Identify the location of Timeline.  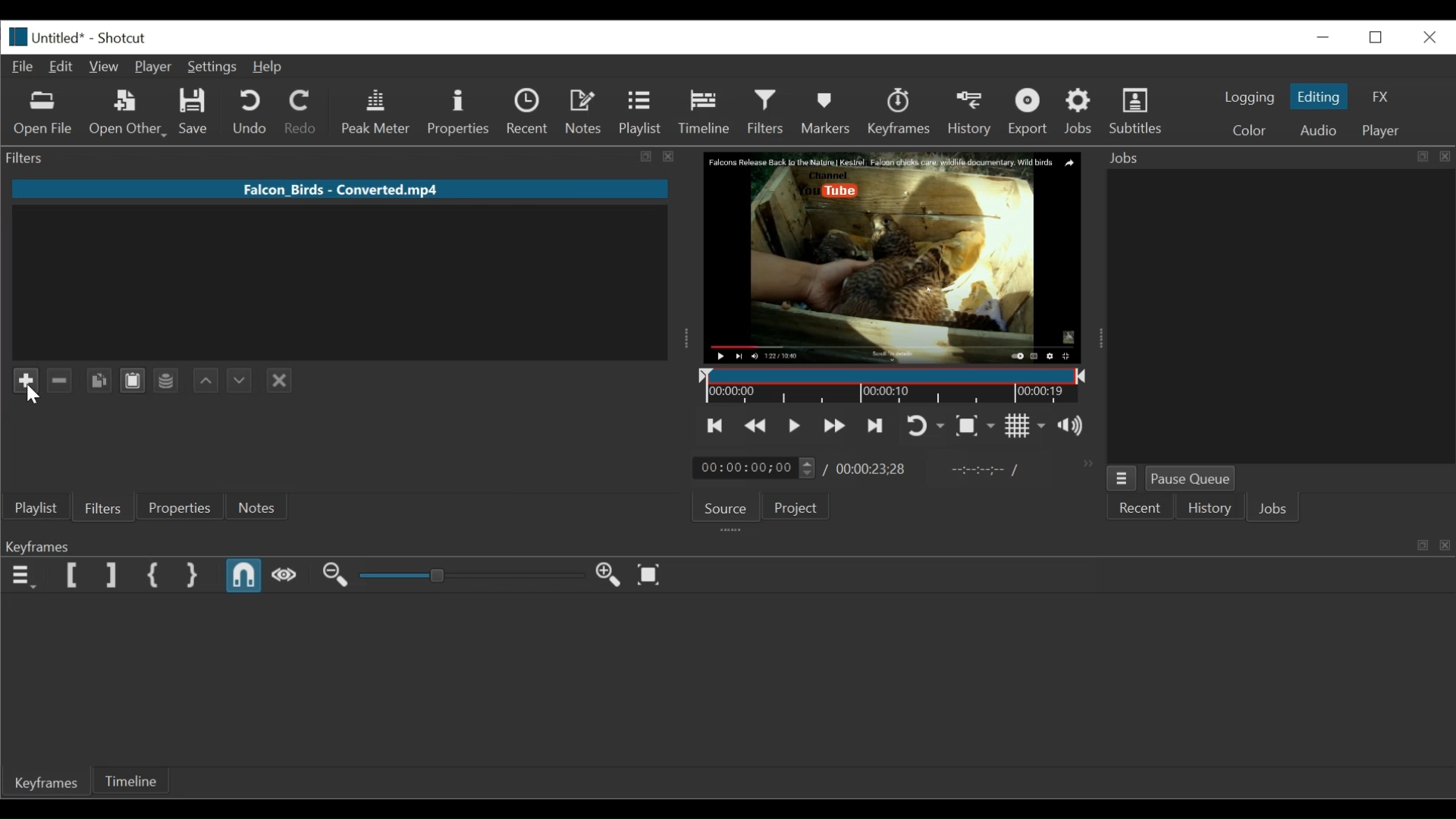
(889, 384).